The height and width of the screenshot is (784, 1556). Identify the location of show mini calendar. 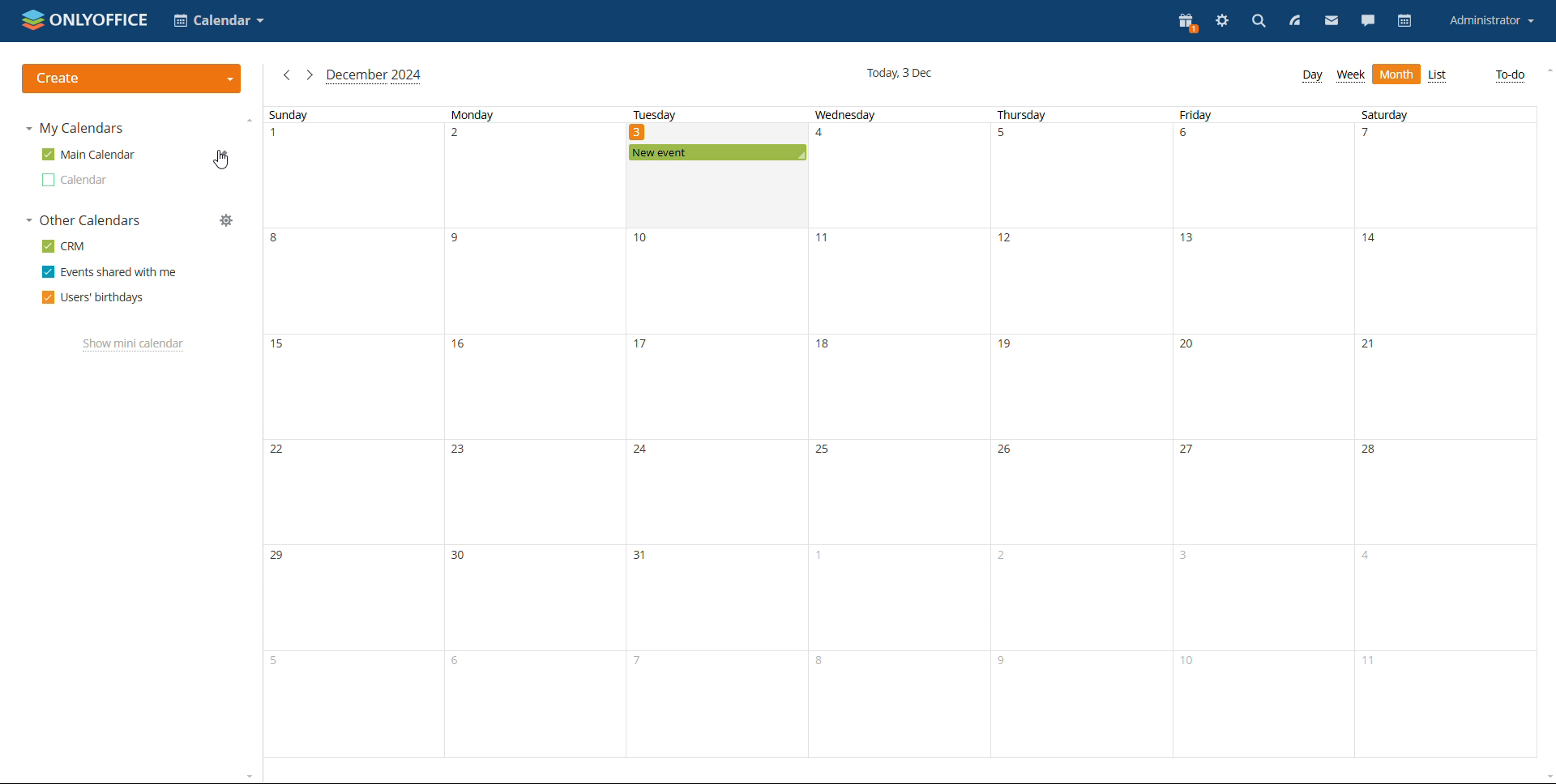
(134, 344).